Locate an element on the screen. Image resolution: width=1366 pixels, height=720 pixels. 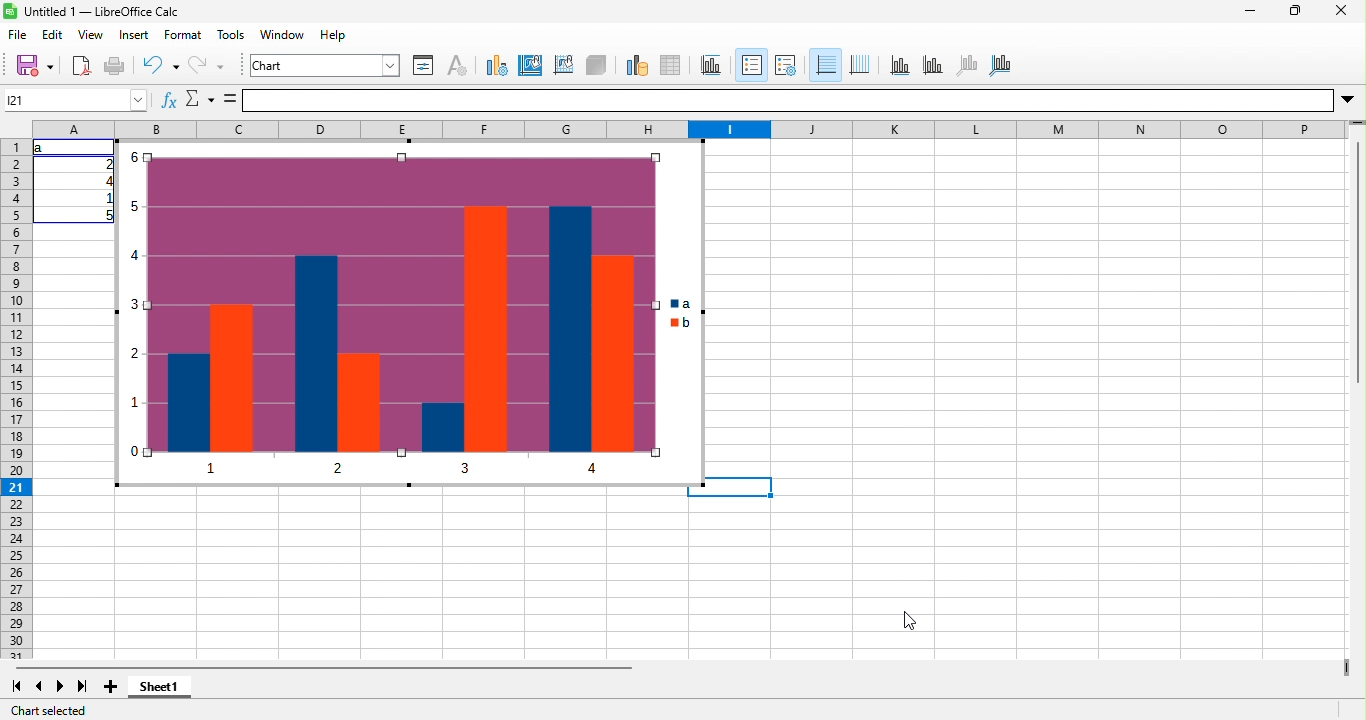
undo is located at coordinates (161, 66).